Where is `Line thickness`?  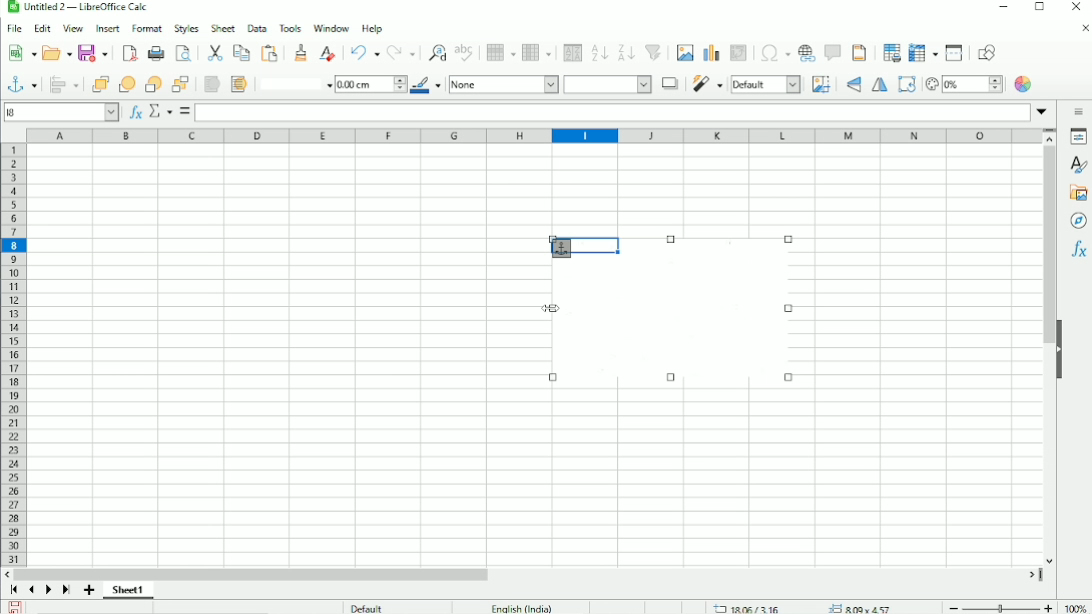 Line thickness is located at coordinates (370, 83).